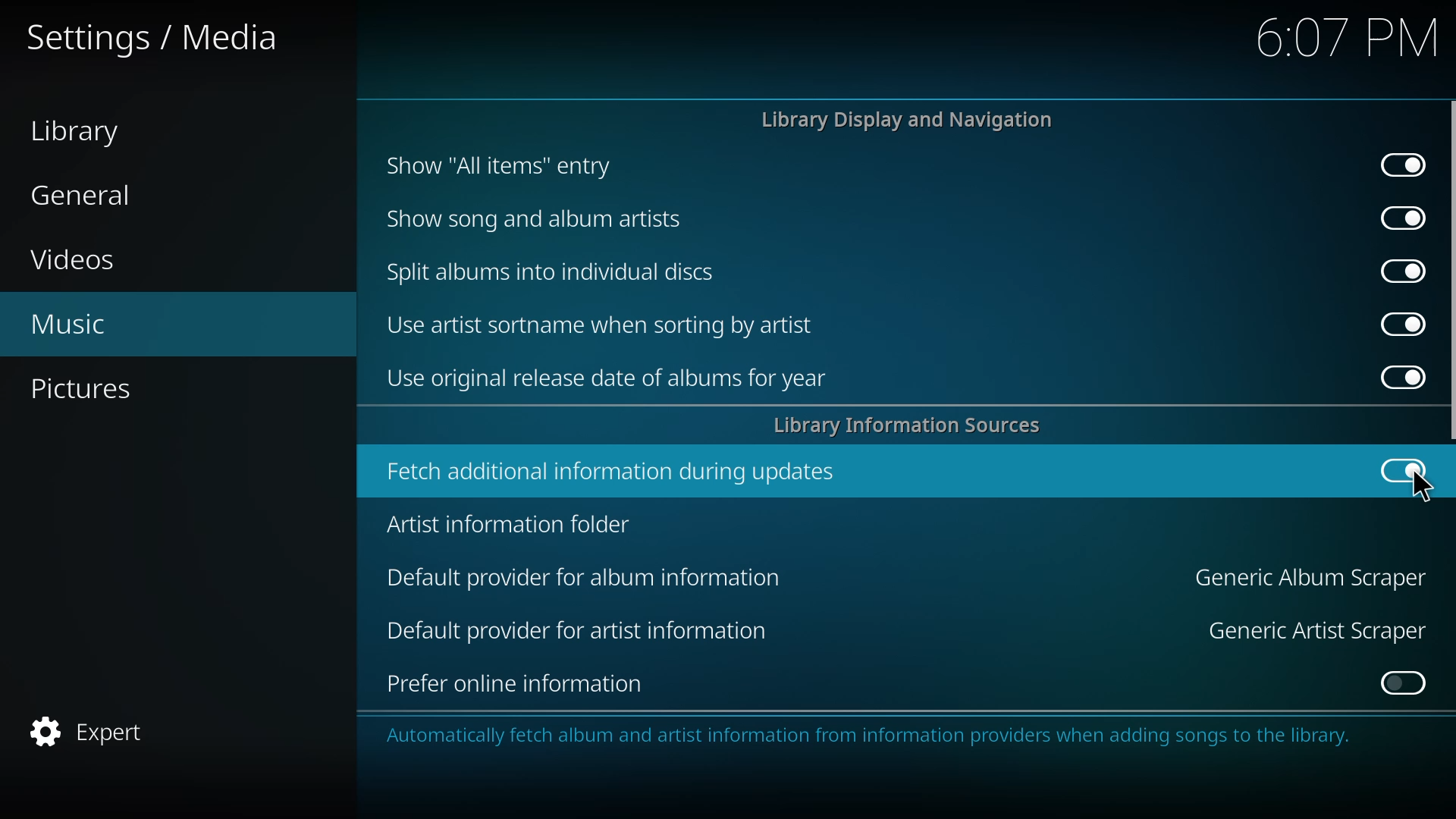 Image resolution: width=1456 pixels, height=819 pixels. What do you see at coordinates (867, 739) in the screenshot?
I see `Automatically fetch album and artist information from information providers when adding songs to the library.` at bounding box center [867, 739].